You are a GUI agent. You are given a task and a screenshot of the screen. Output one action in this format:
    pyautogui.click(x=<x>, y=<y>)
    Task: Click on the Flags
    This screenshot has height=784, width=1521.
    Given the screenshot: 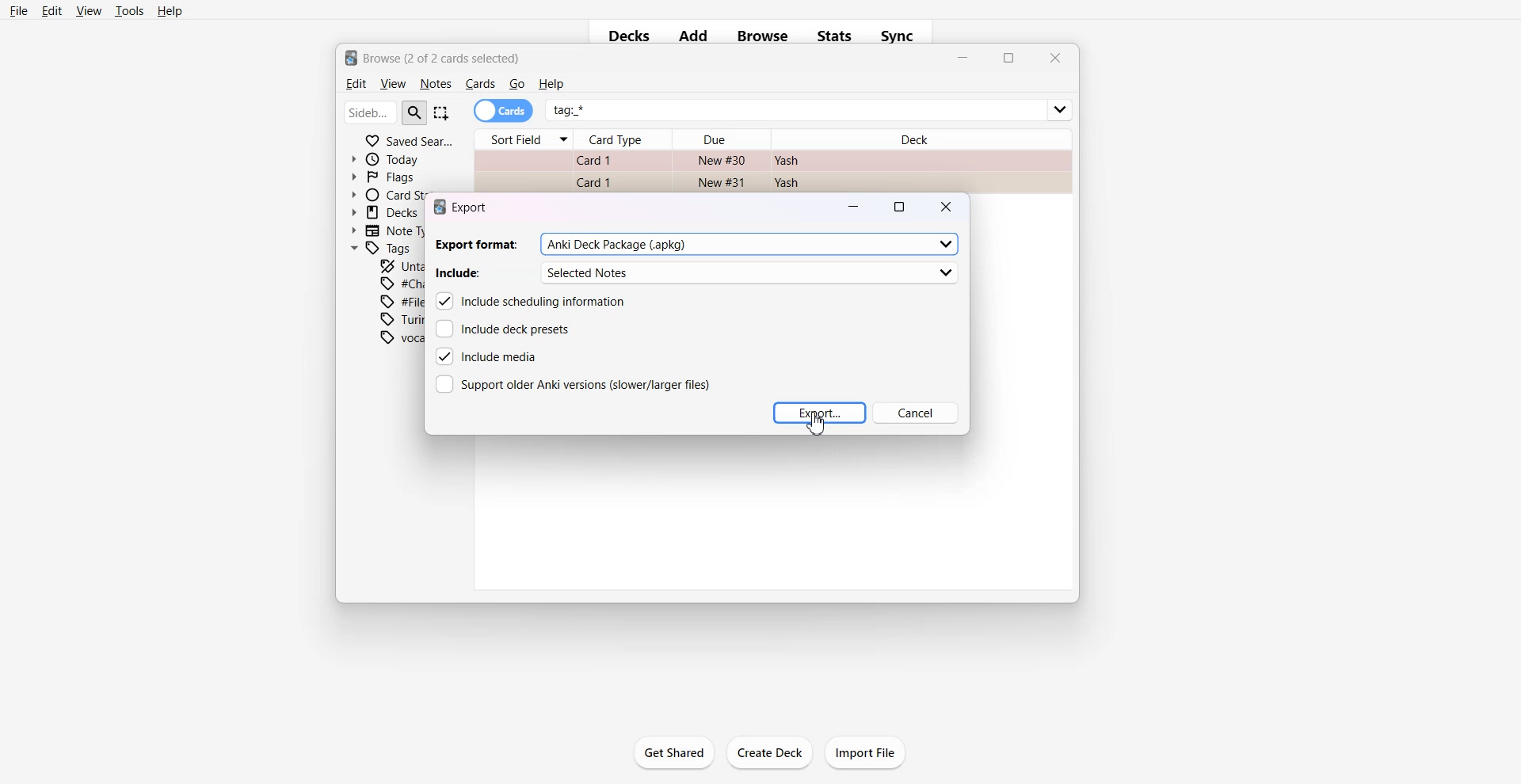 What is the action you would take?
    pyautogui.click(x=383, y=176)
    